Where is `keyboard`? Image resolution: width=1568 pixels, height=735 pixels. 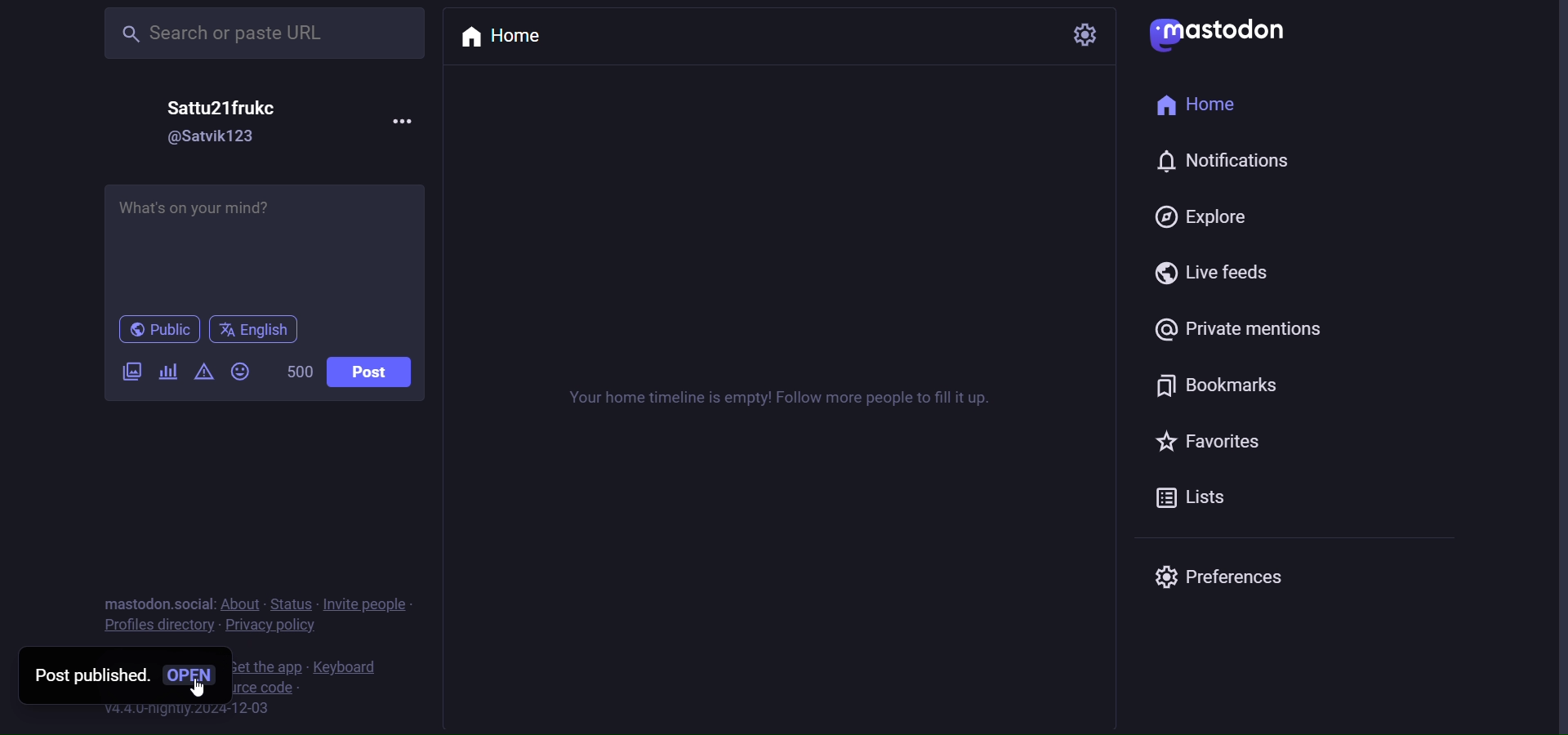 keyboard is located at coordinates (349, 669).